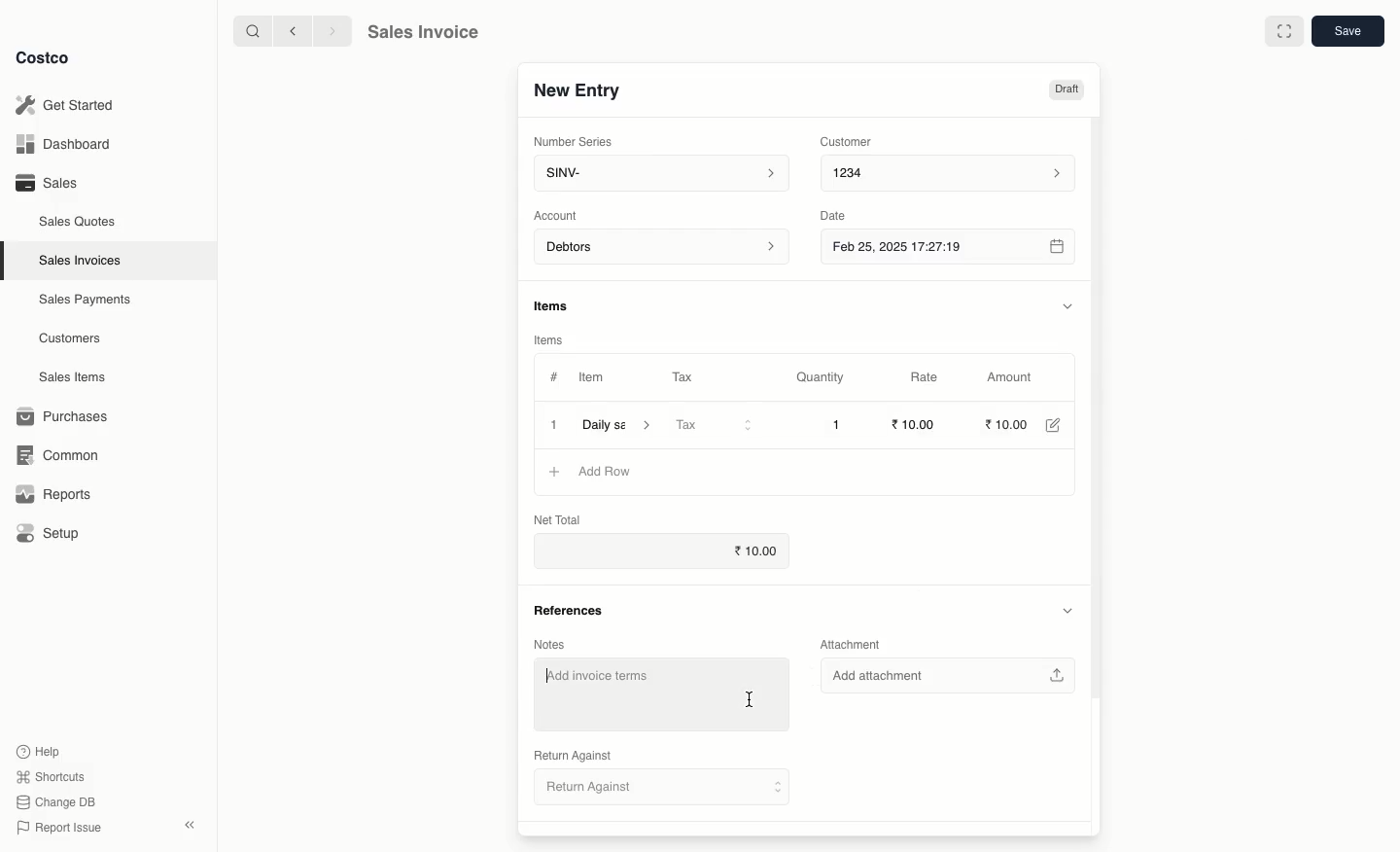 This screenshot has width=1400, height=852. Describe the element at coordinates (75, 223) in the screenshot. I see `Sales Quotes` at that location.